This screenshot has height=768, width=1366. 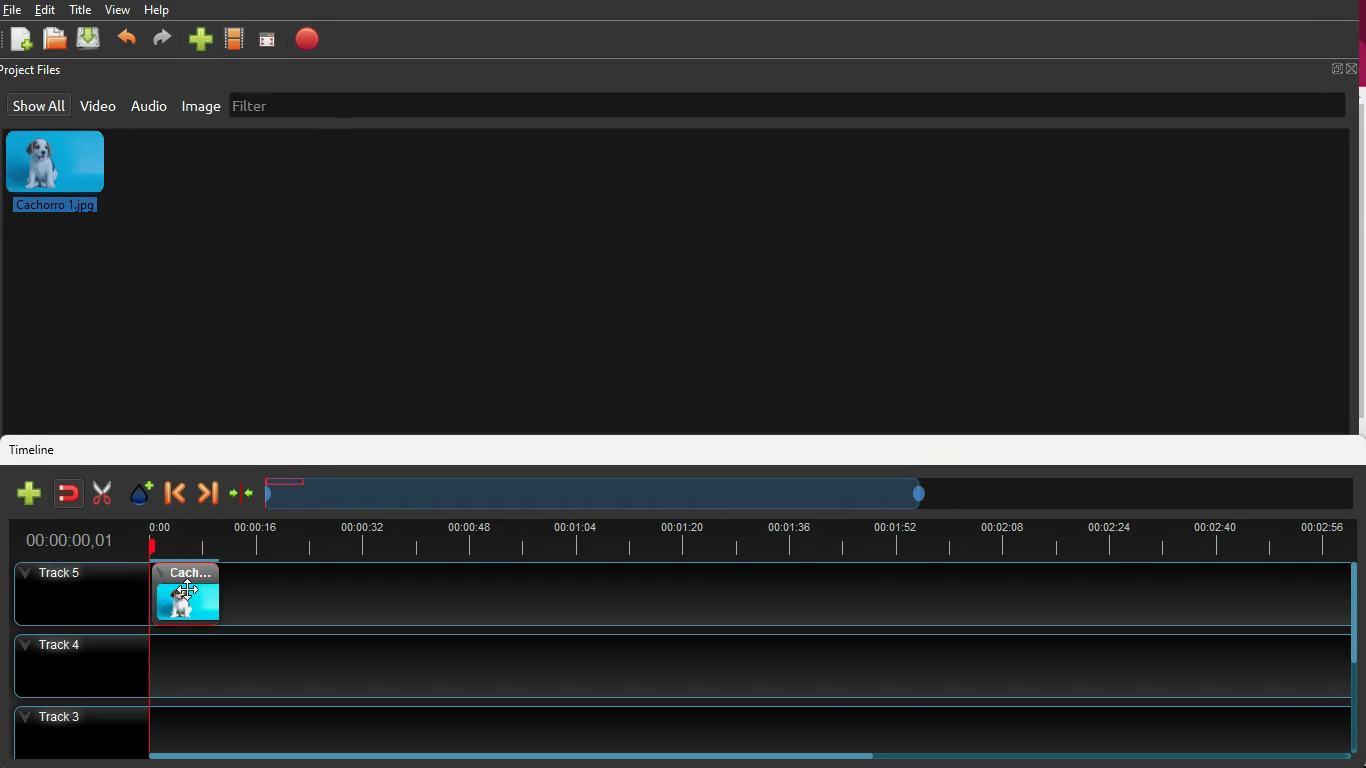 What do you see at coordinates (237, 38) in the screenshot?
I see `movie` at bounding box center [237, 38].